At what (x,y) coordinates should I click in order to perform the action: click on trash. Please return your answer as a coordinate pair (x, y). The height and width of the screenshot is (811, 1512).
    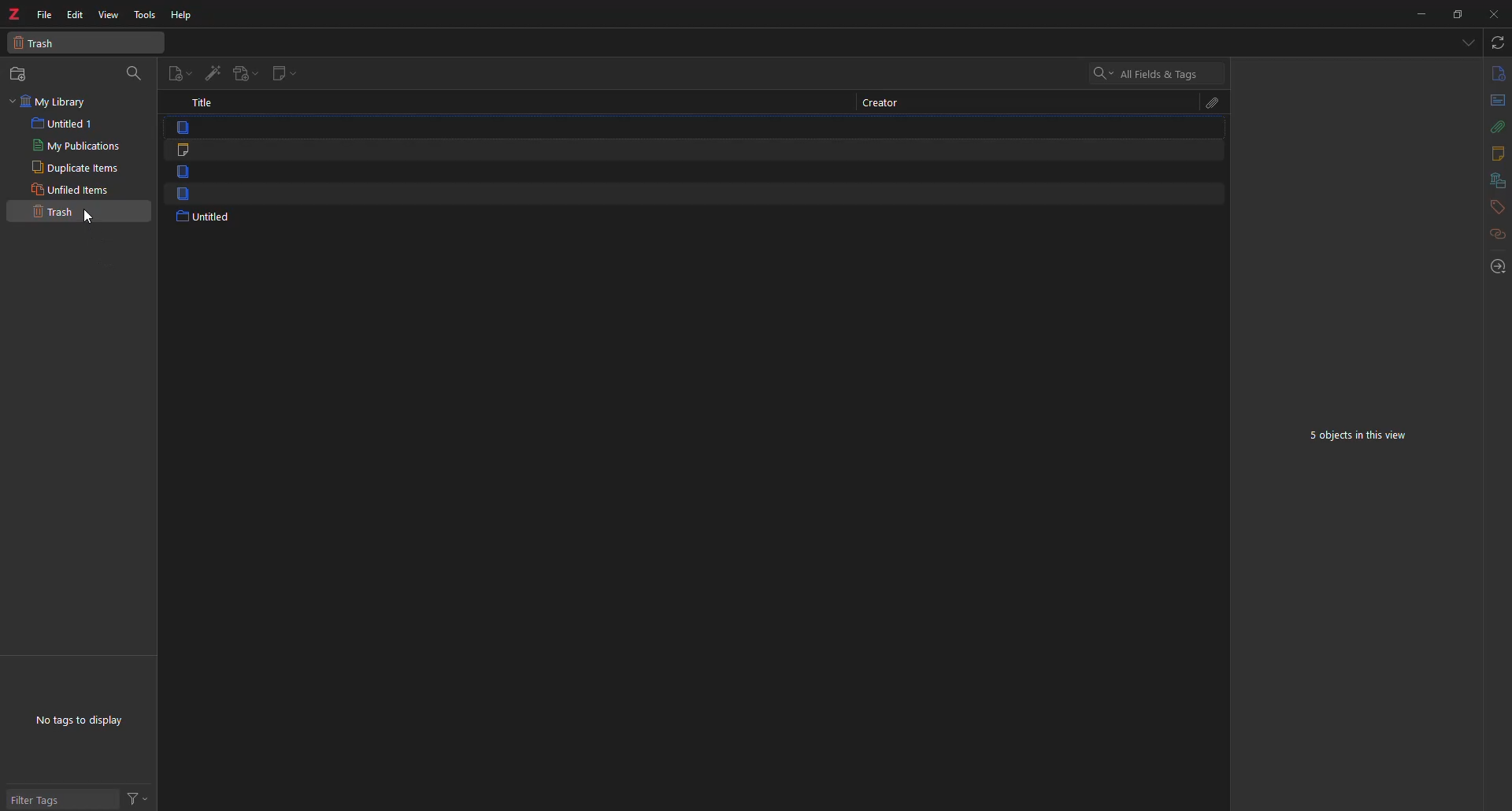
    Looking at the image, I should click on (40, 45).